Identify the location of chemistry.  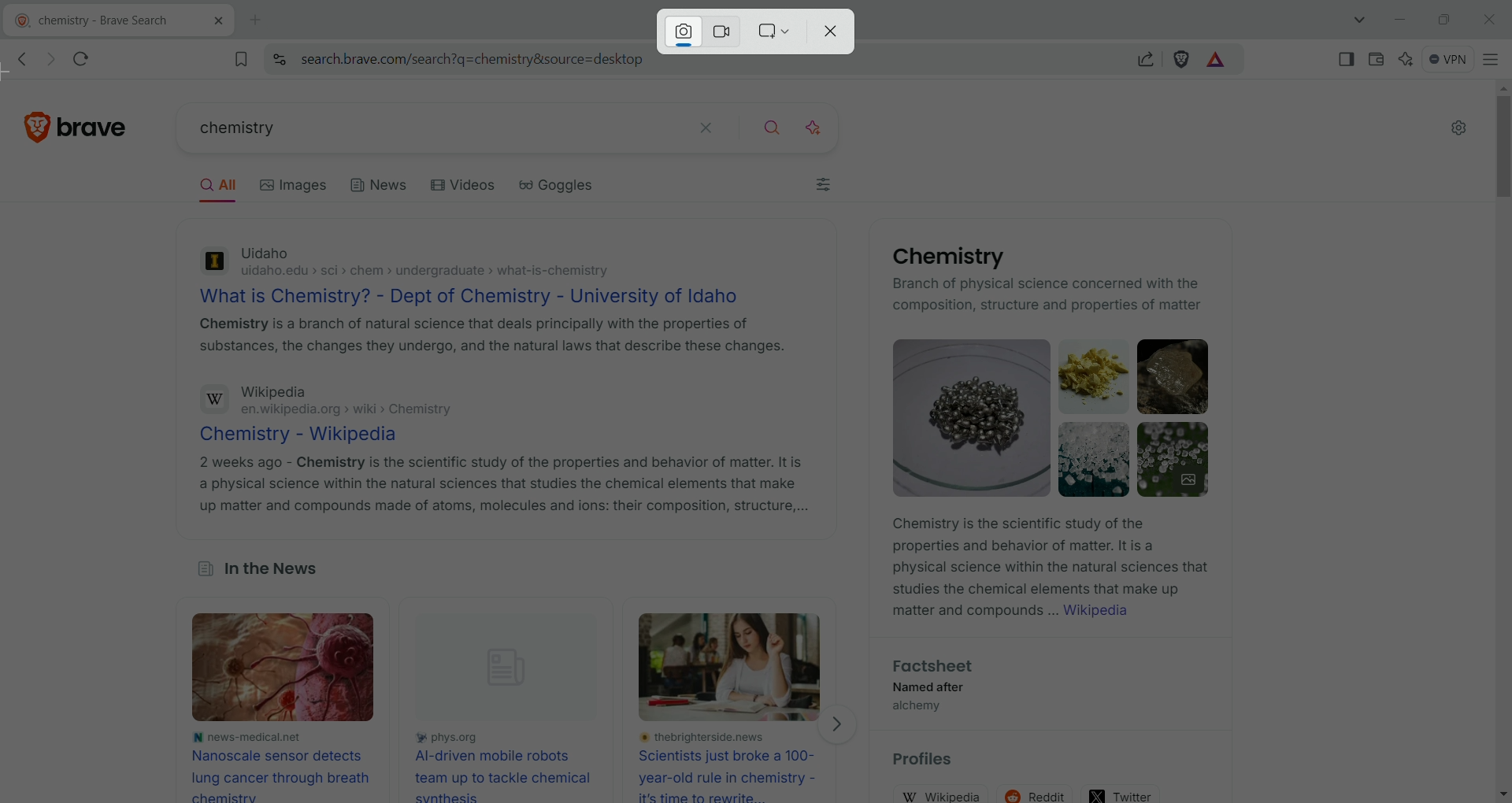
(414, 130).